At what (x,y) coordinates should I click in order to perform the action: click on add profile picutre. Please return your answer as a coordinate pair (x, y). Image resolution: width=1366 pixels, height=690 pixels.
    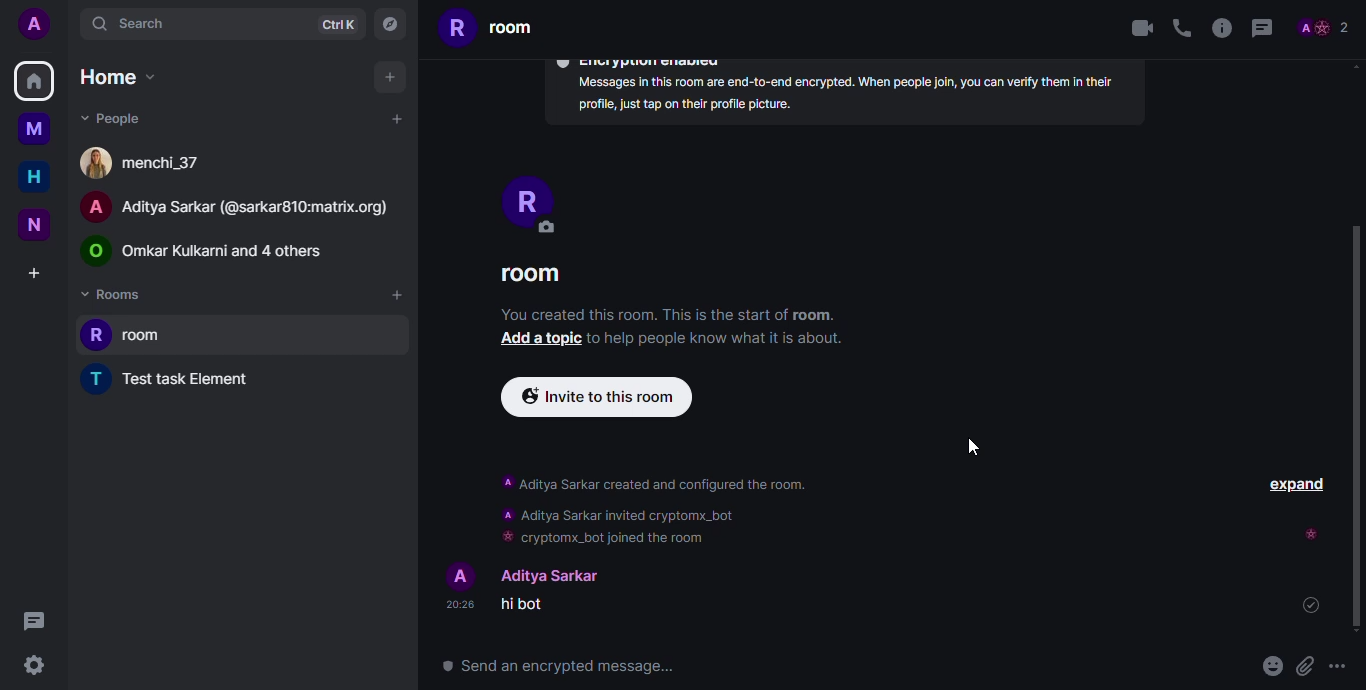
    Looking at the image, I should click on (33, 23).